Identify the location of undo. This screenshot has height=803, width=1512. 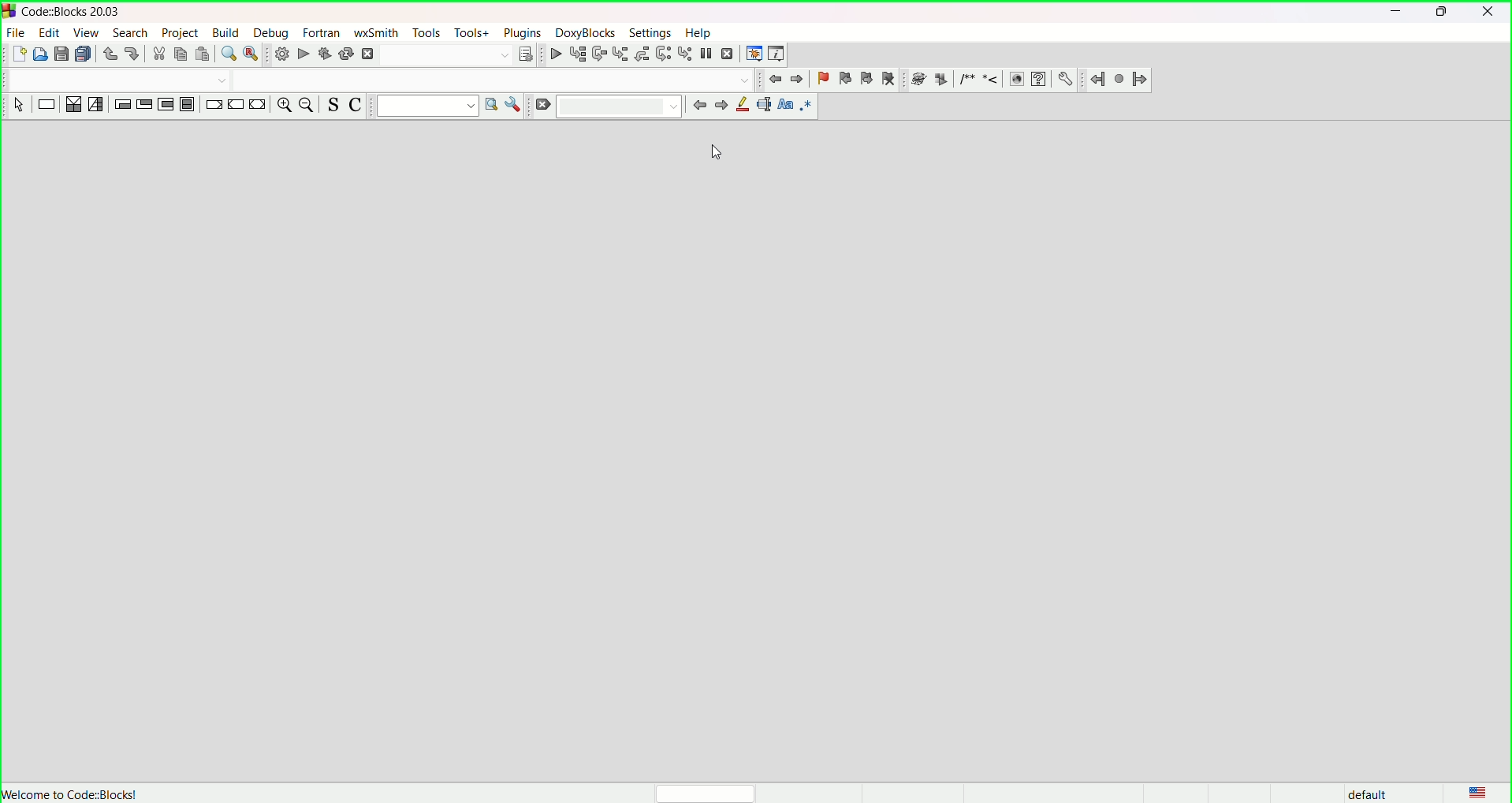
(108, 56).